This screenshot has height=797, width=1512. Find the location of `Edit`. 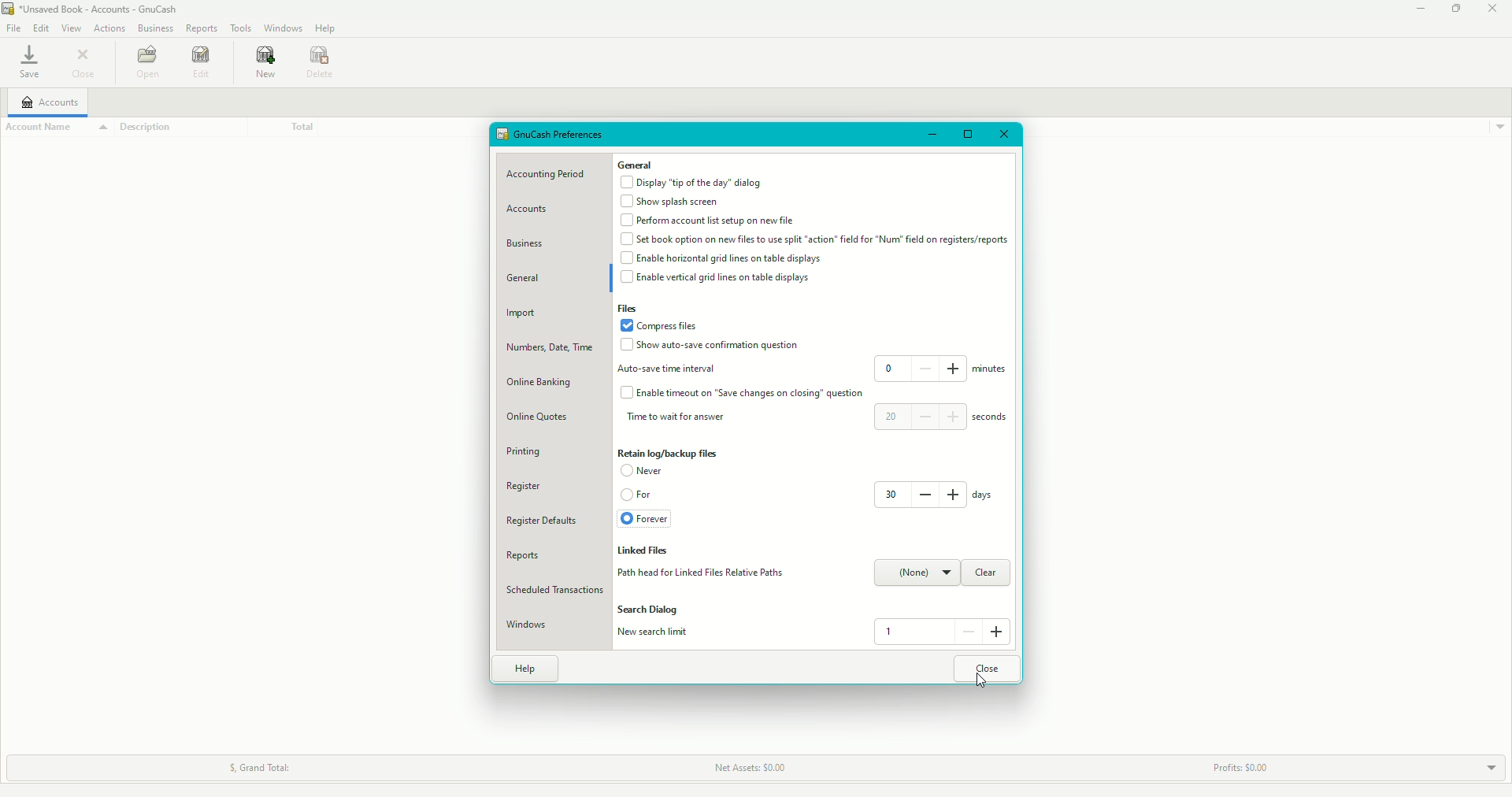

Edit is located at coordinates (41, 27).